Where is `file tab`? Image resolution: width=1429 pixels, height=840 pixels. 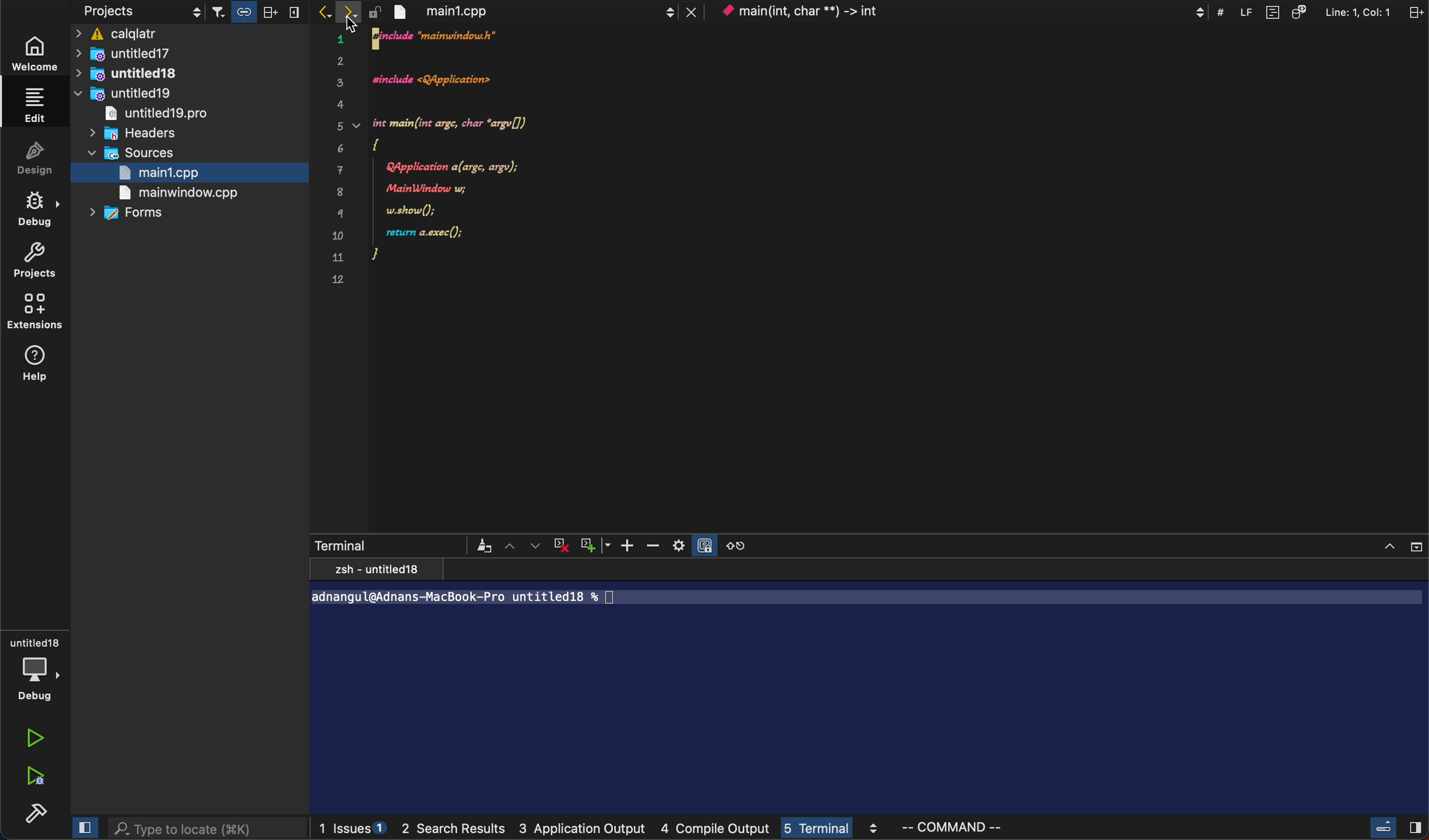 file tab is located at coordinates (543, 12).